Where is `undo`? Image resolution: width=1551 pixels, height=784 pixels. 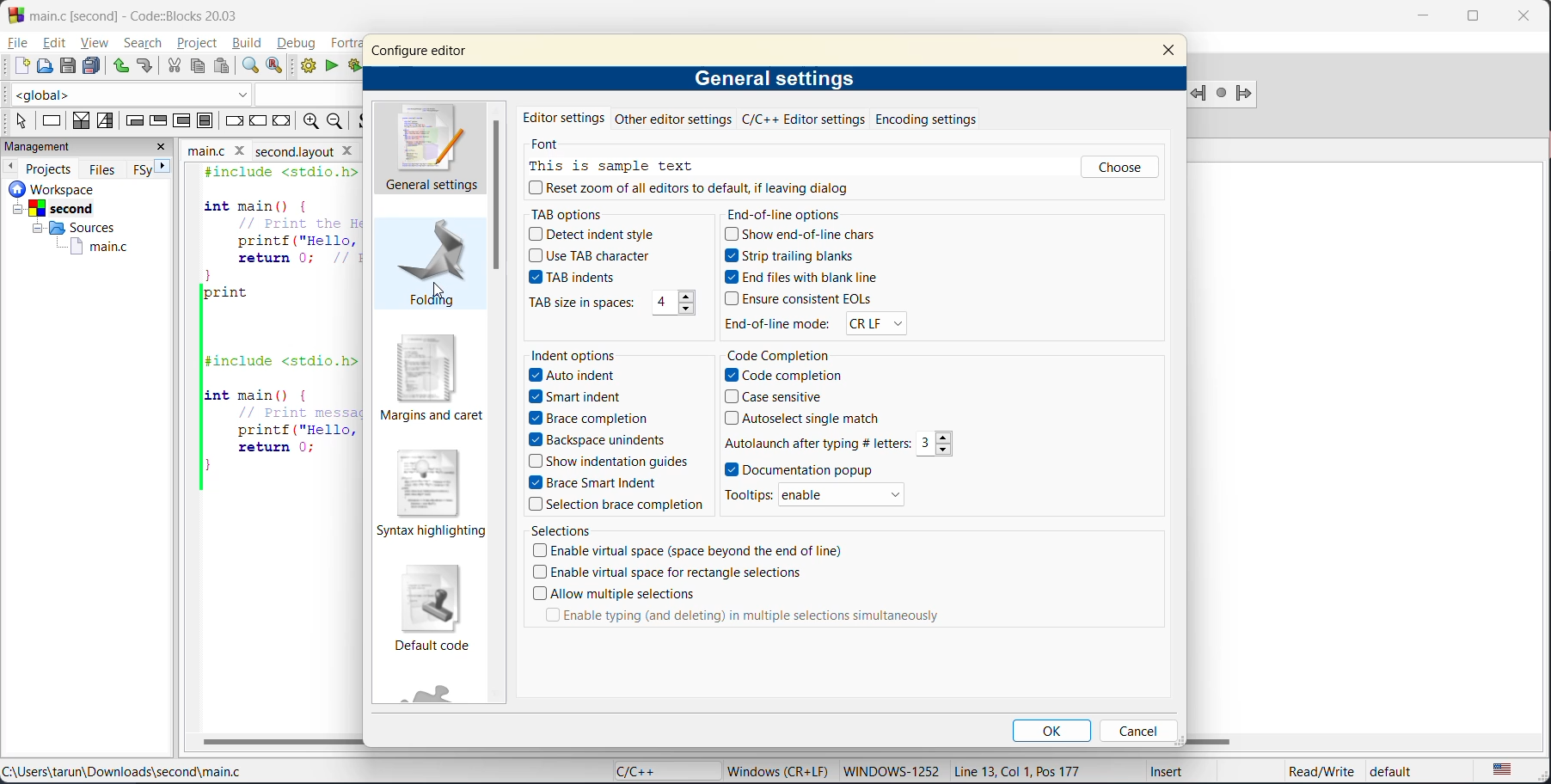
undo is located at coordinates (122, 65).